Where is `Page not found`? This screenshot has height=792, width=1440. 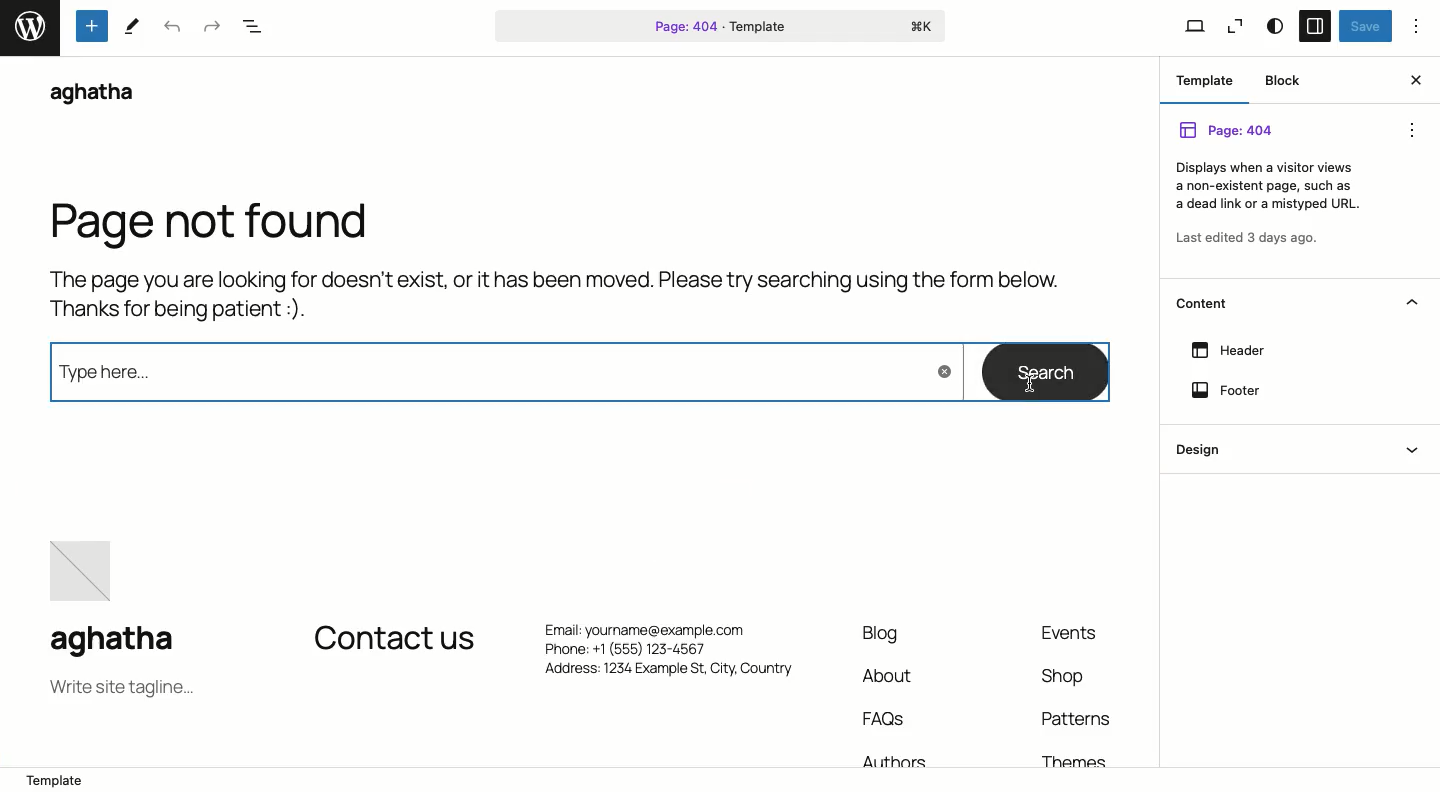
Page not found is located at coordinates (209, 223).